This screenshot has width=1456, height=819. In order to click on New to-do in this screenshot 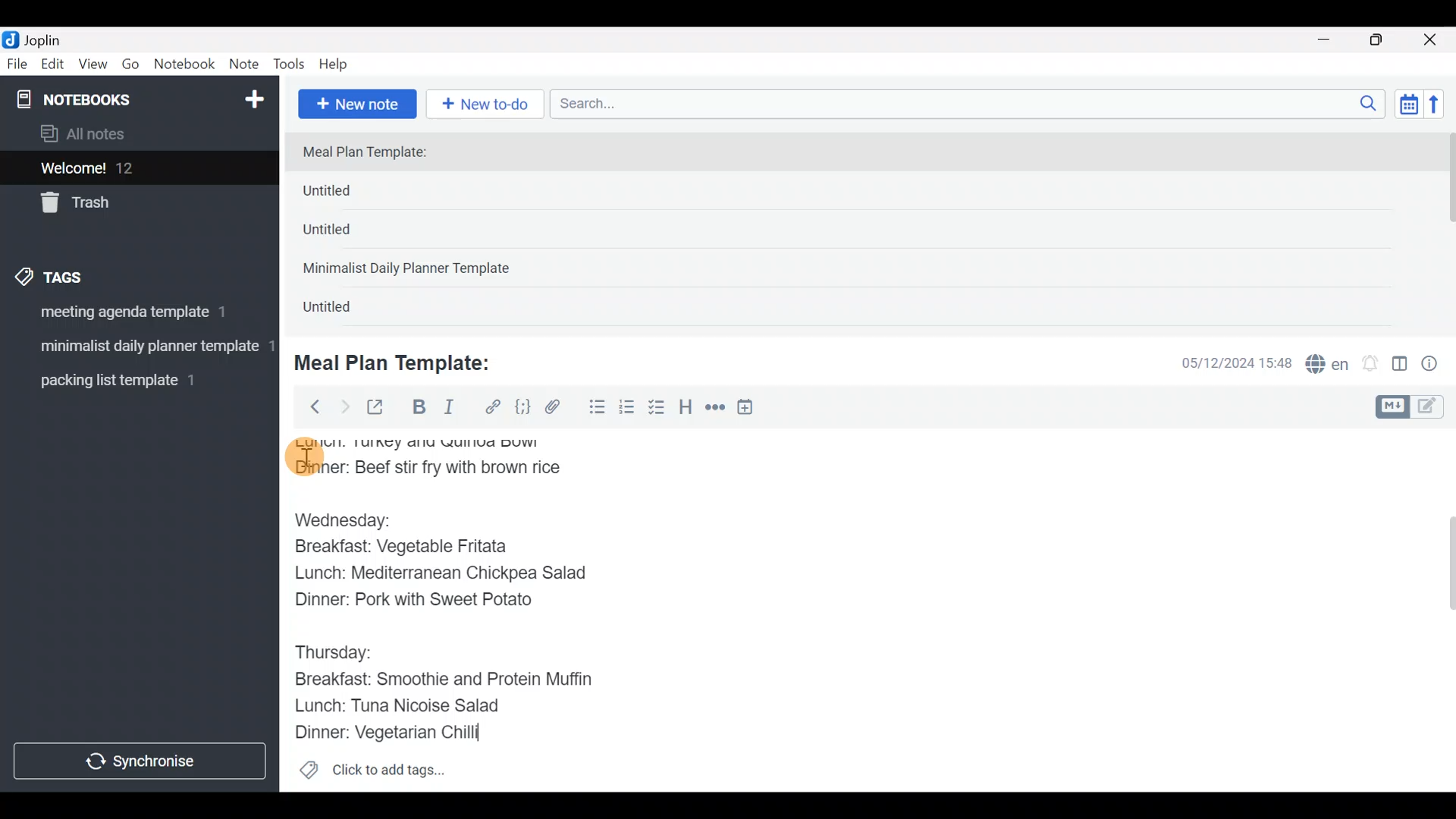, I will do `click(488, 105)`.